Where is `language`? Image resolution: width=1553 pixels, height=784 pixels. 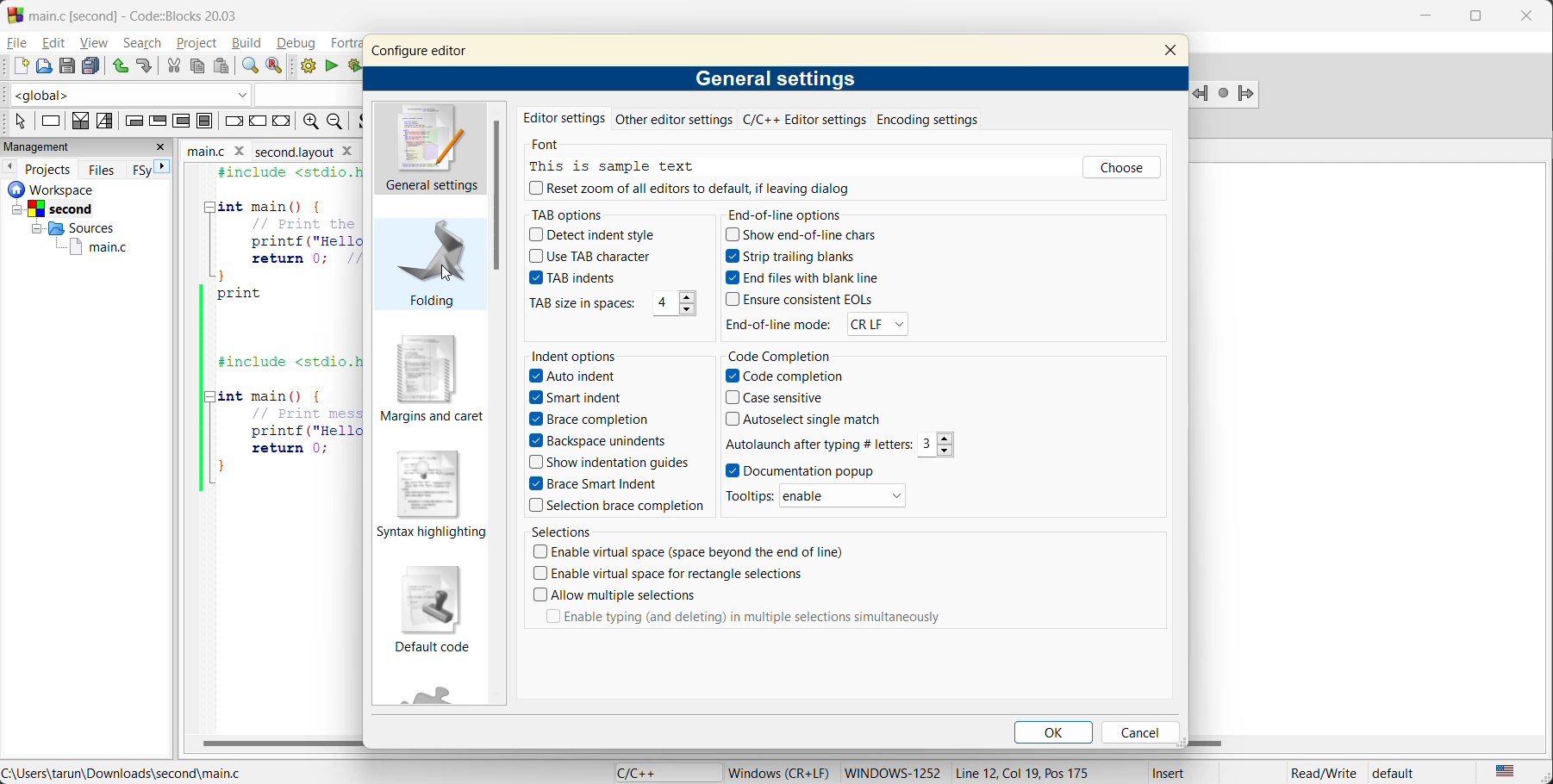 language is located at coordinates (658, 772).